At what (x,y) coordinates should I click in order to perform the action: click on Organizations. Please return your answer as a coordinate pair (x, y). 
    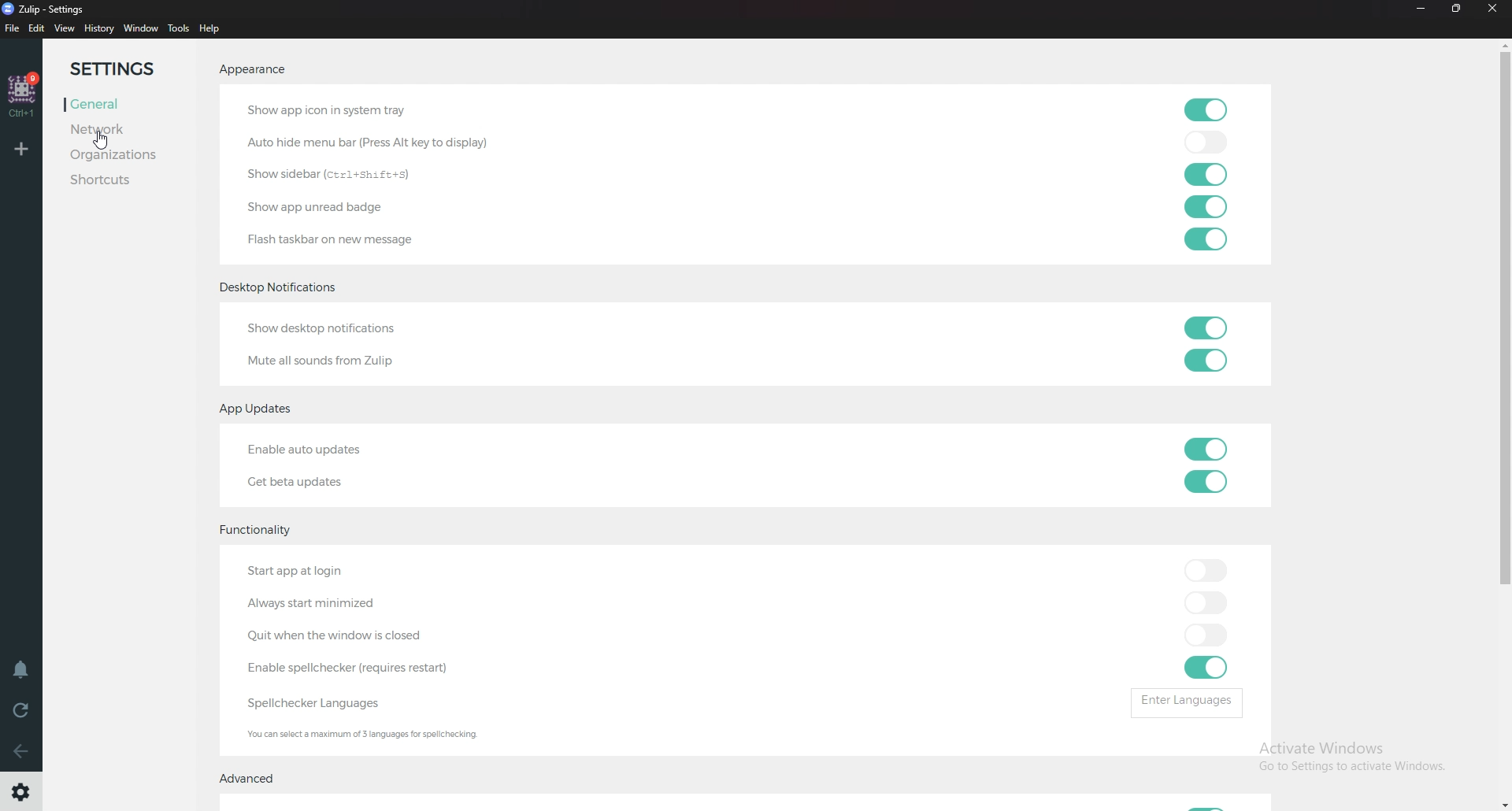
    Looking at the image, I should click on (134, 156).